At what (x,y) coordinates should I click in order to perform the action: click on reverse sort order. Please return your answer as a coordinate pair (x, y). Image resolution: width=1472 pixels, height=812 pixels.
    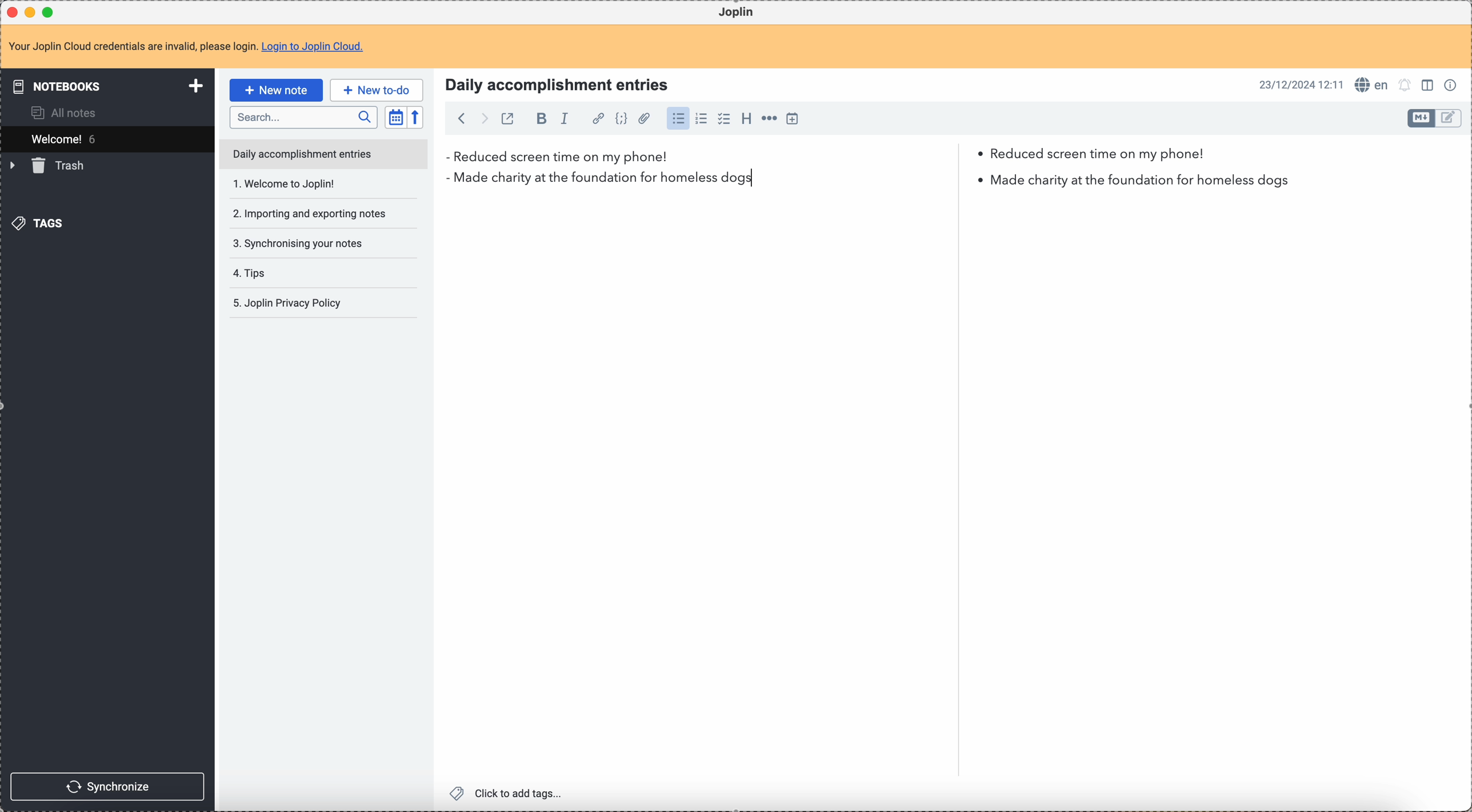
    Looking at the image, I should click on (415, 117).